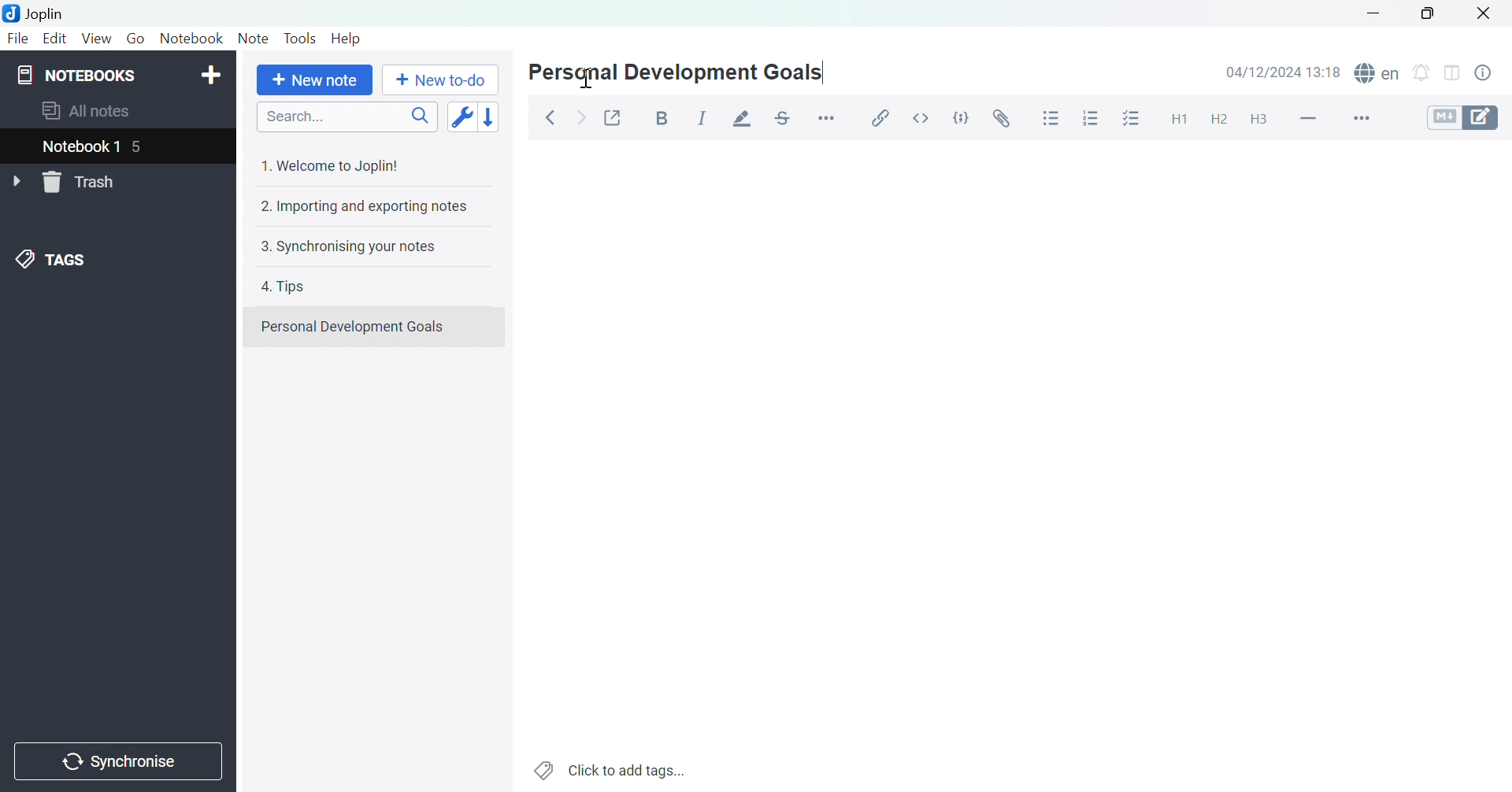  Describe the element at coordinates (54, 38) in the screenshot. I see `Edit` at that location.